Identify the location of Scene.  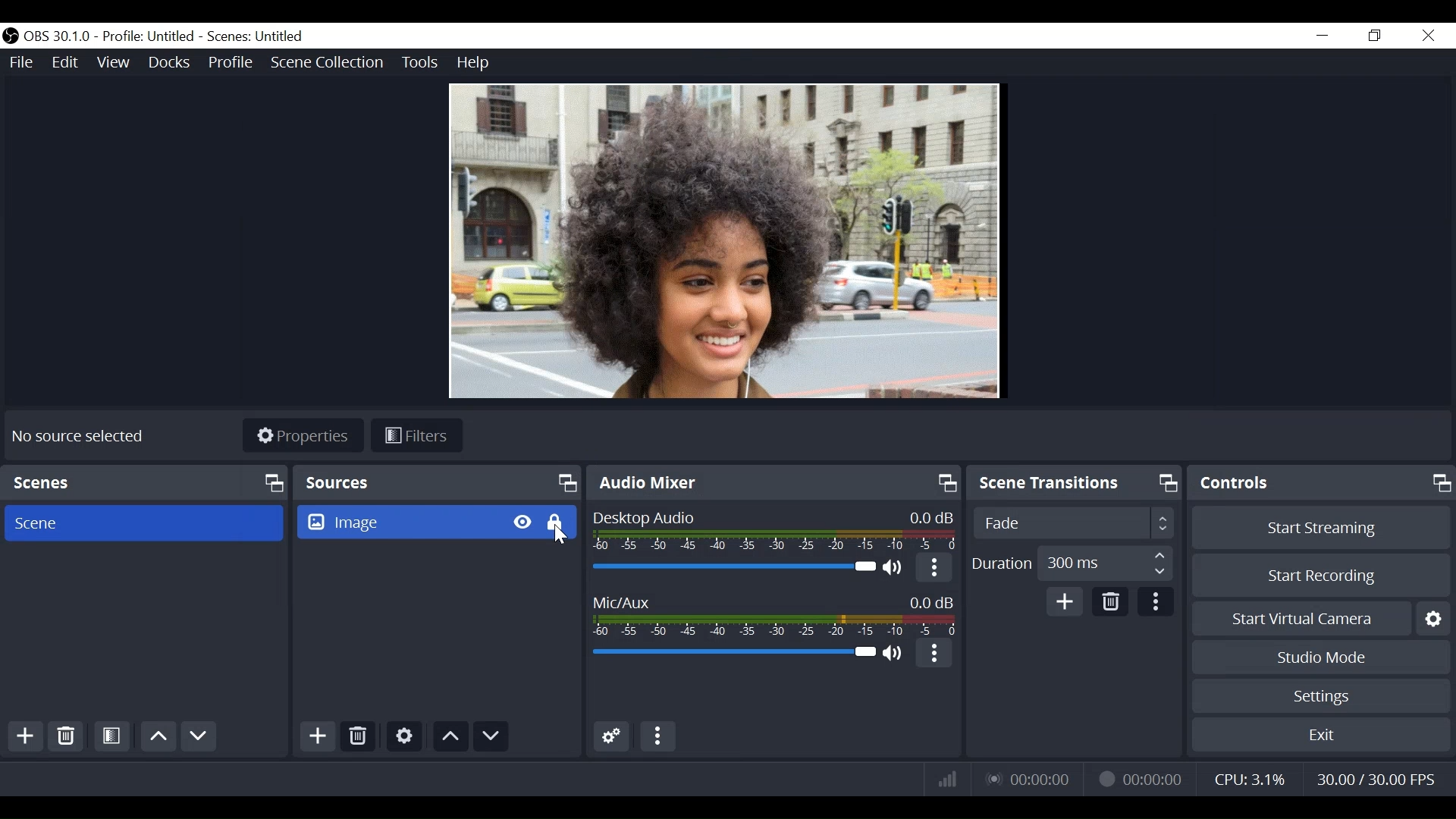
(143, 522).